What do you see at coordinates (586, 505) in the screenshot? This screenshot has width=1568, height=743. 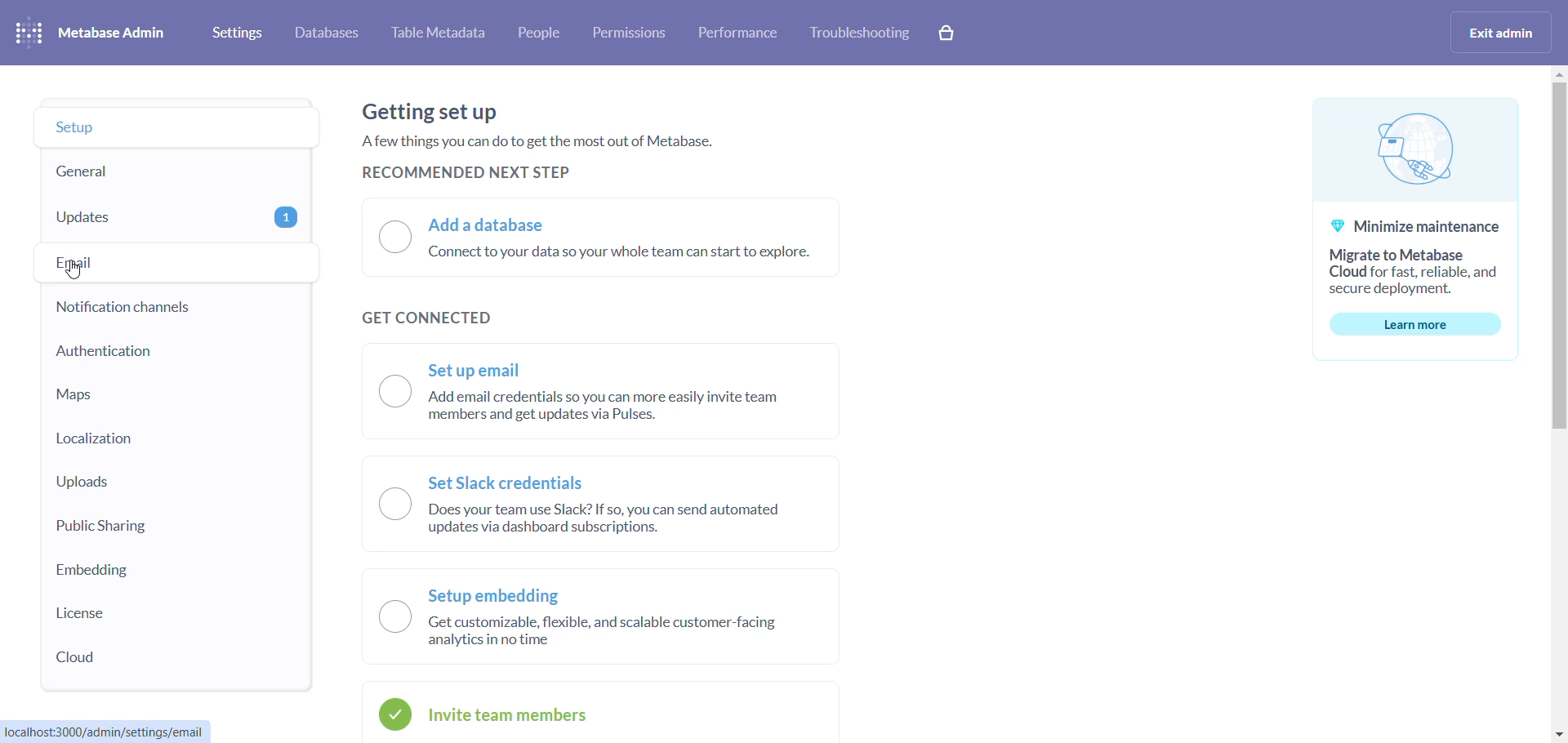 I see `—. SetSlack credentials
\__/ Does your team use Slack? If so, you can send automated
updates via dashboard subscriptions.` at bounding box center [586, 505].